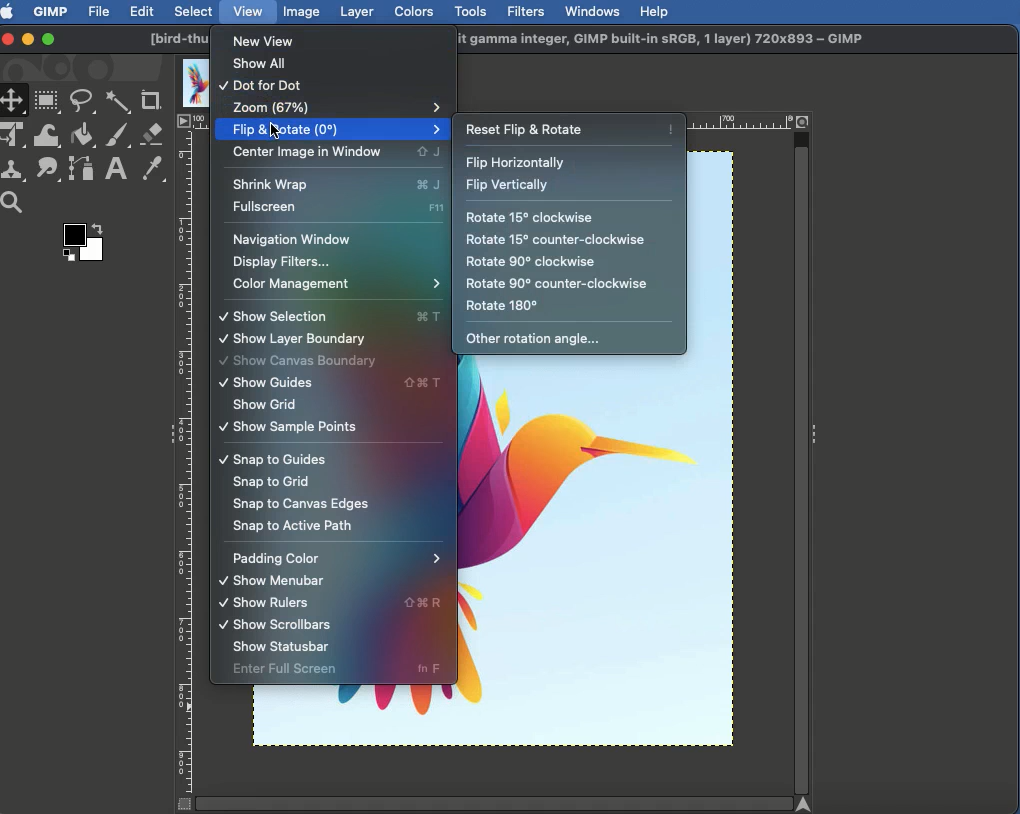 This screenshot has height=814, width=1020. What do you see at coordinates (429, 316) in the screenshot?
I see `command+T` at bounding box center [429, 316].